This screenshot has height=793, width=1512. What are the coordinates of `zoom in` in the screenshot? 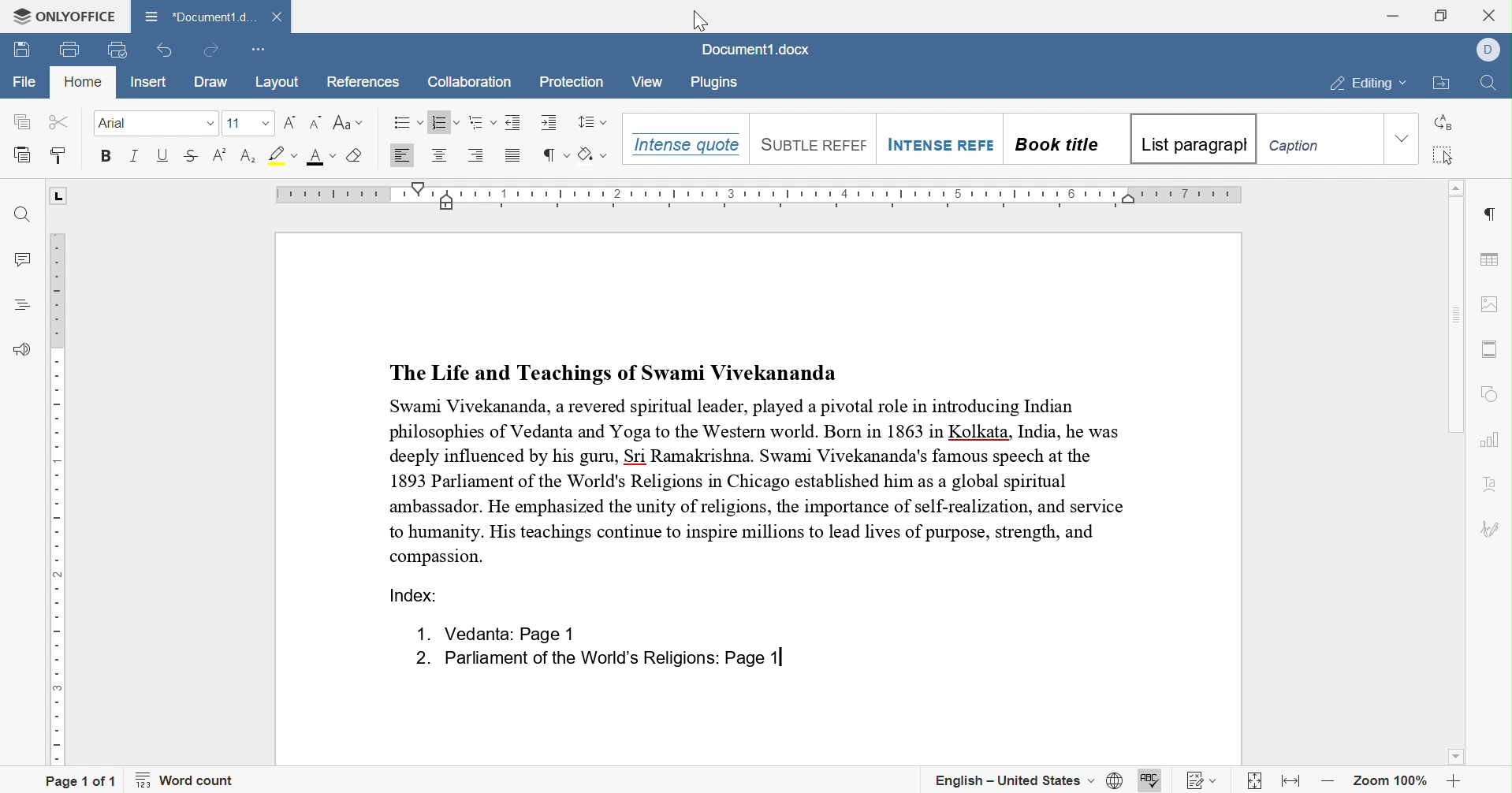 It's located at (1454, 783).